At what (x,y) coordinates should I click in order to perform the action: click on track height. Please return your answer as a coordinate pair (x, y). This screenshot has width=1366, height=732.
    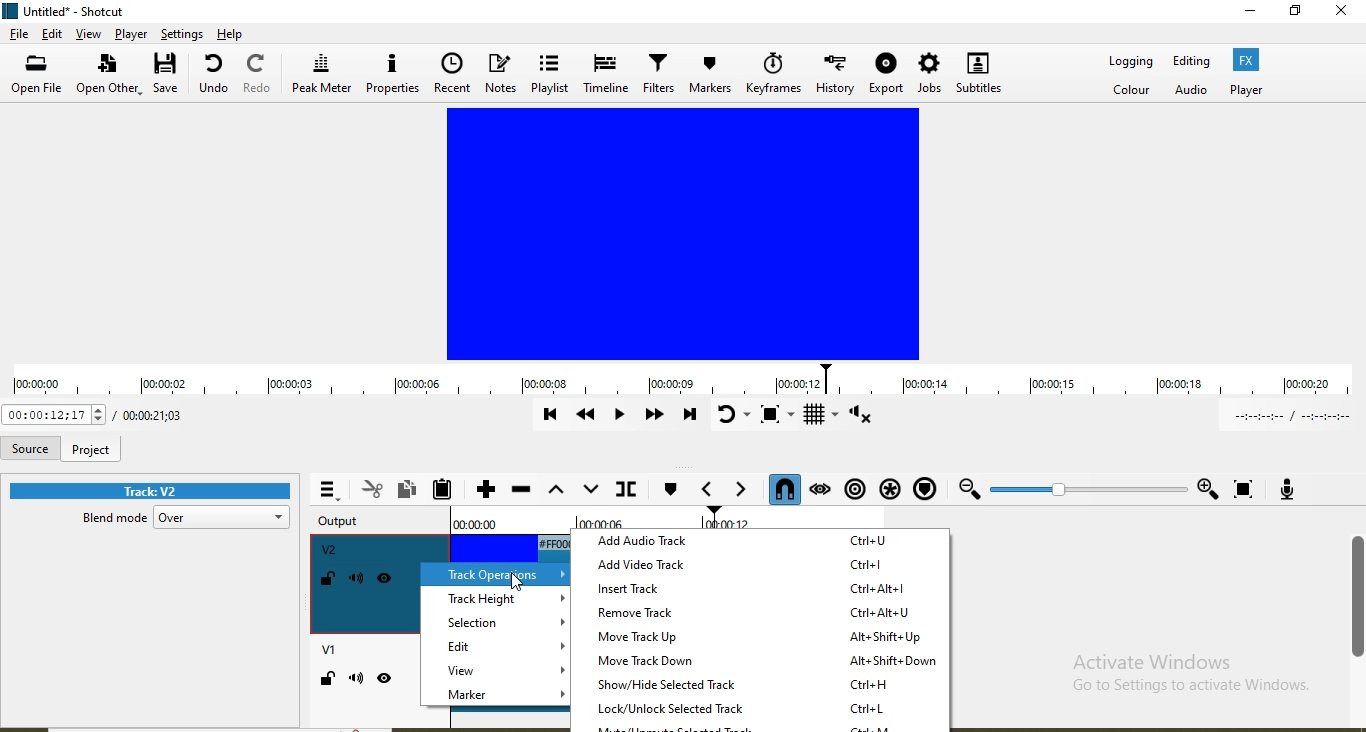
    Looking at the image, I should click on (492, 599).